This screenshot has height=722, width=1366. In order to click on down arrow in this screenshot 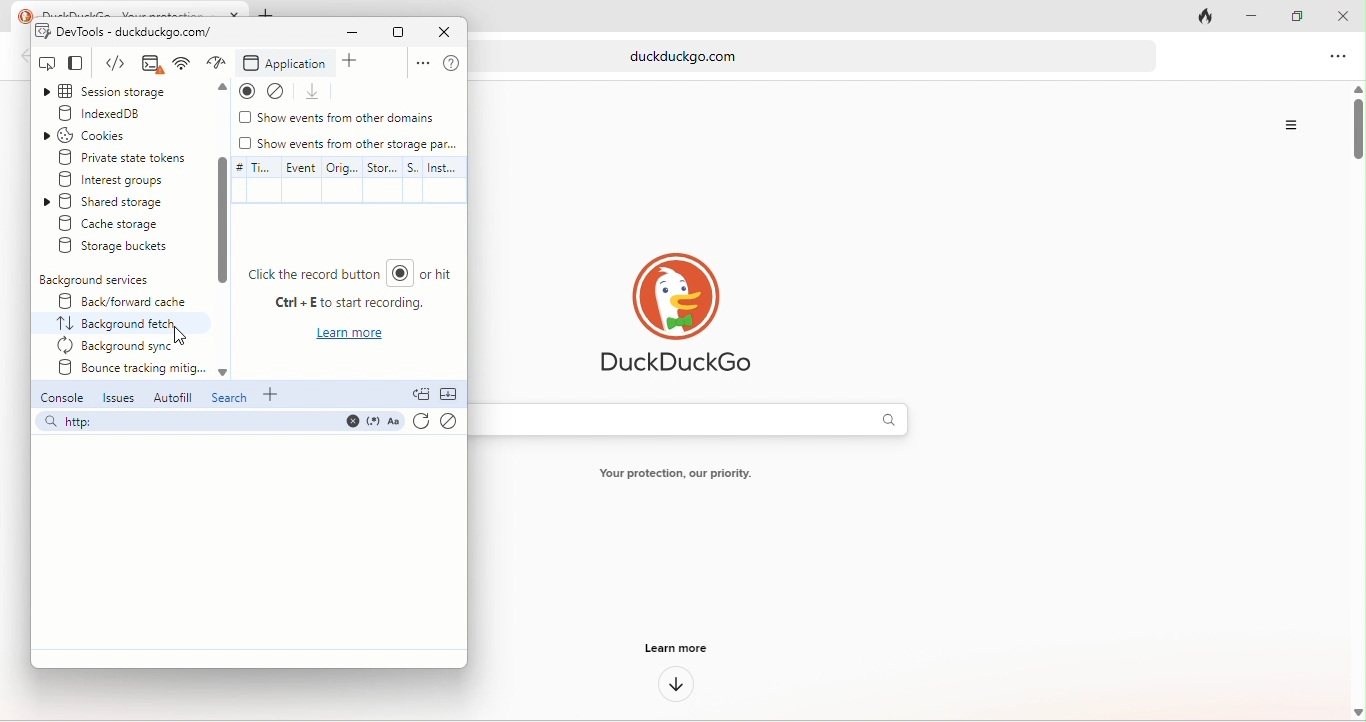, I will do `click(671, 687)`.